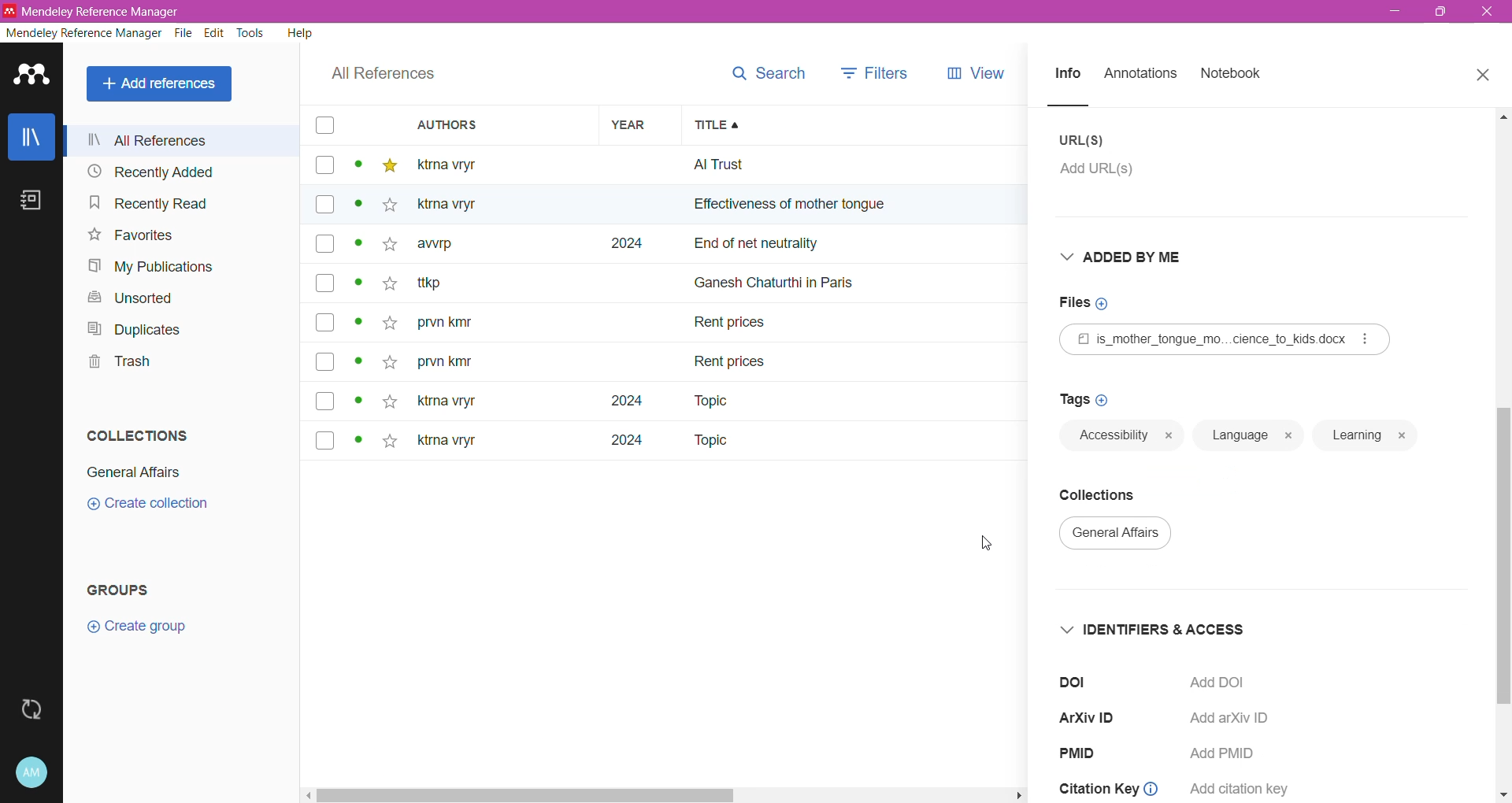 The width and height of the screenshot is (1512, 803). Describe the element at coordinates (390, 400) in the screenshot. I see `star` at that location.